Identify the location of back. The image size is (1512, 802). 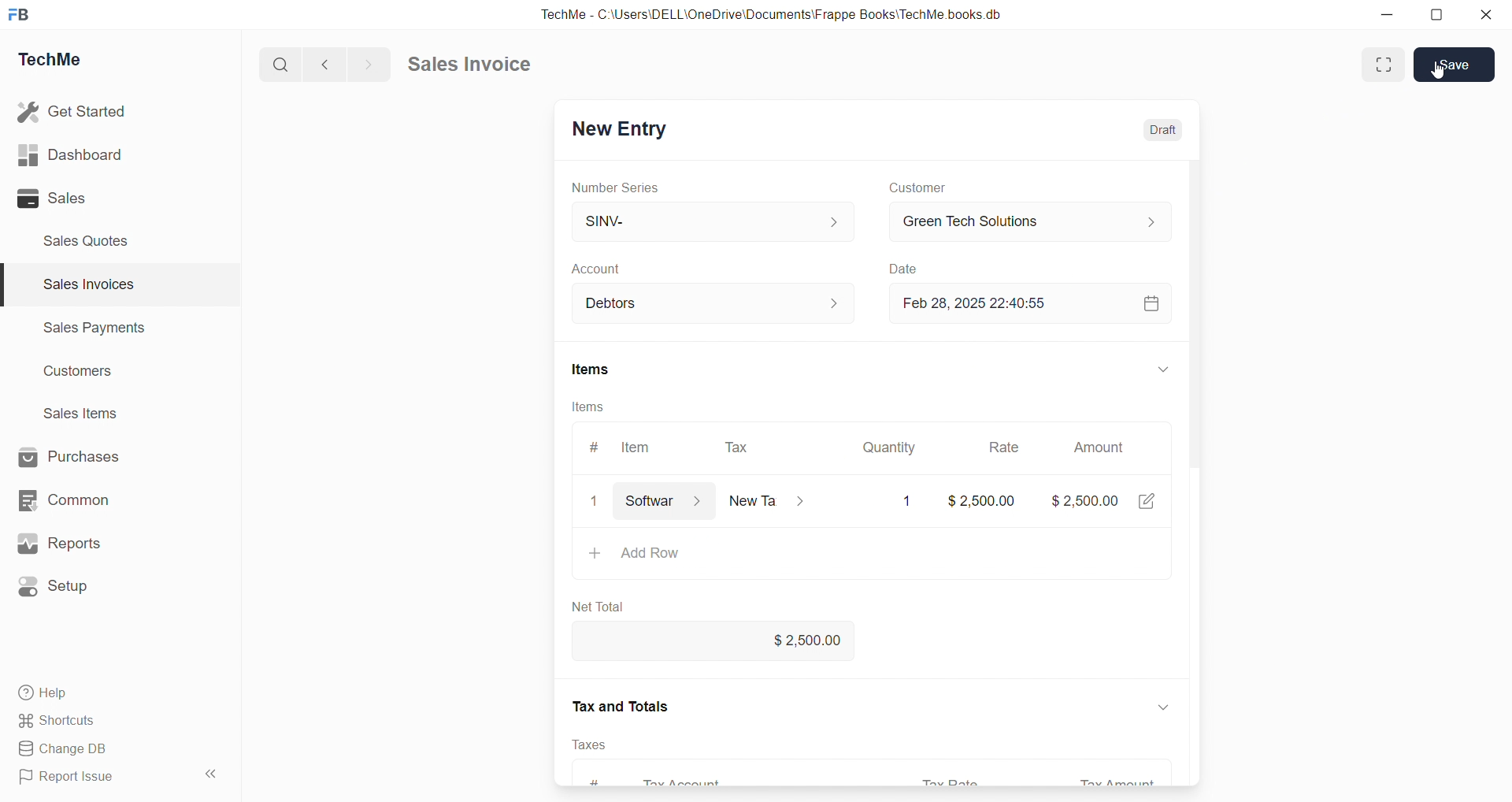
(321, 64).